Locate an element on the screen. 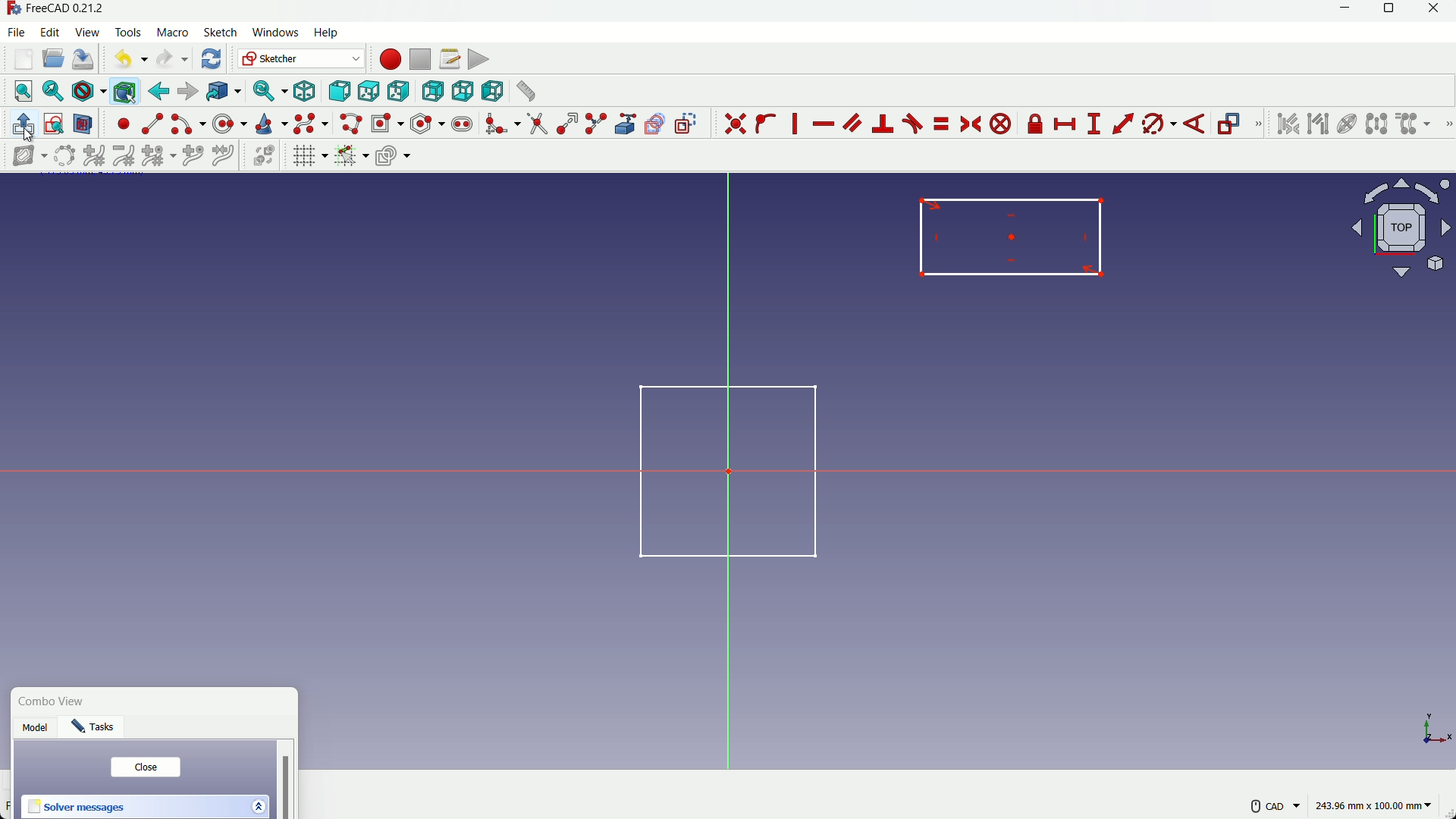 Image resolution: width=1456 pixels, height=819 pixels. create point is located at coordinates (124, 124).